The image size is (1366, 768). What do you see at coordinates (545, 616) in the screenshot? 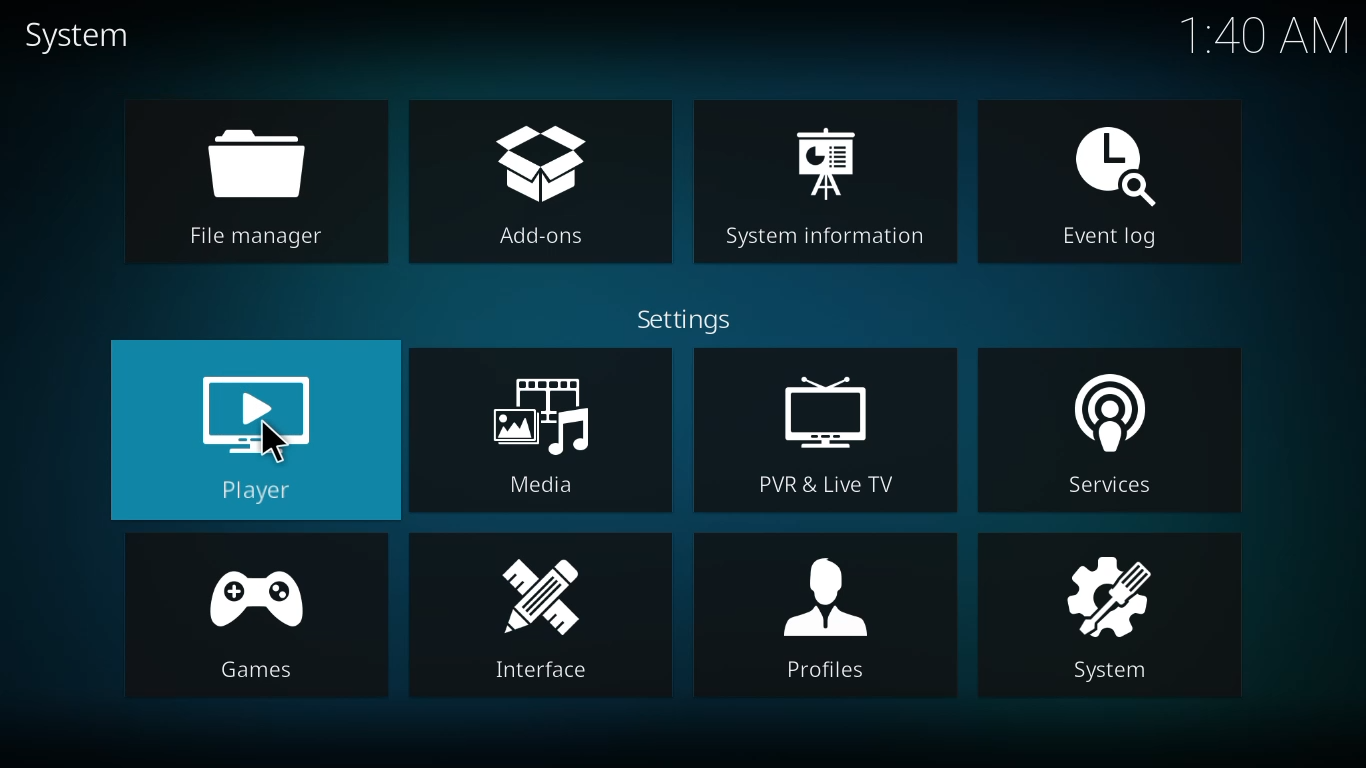
I see `interface` at bounding box center [545, 616].